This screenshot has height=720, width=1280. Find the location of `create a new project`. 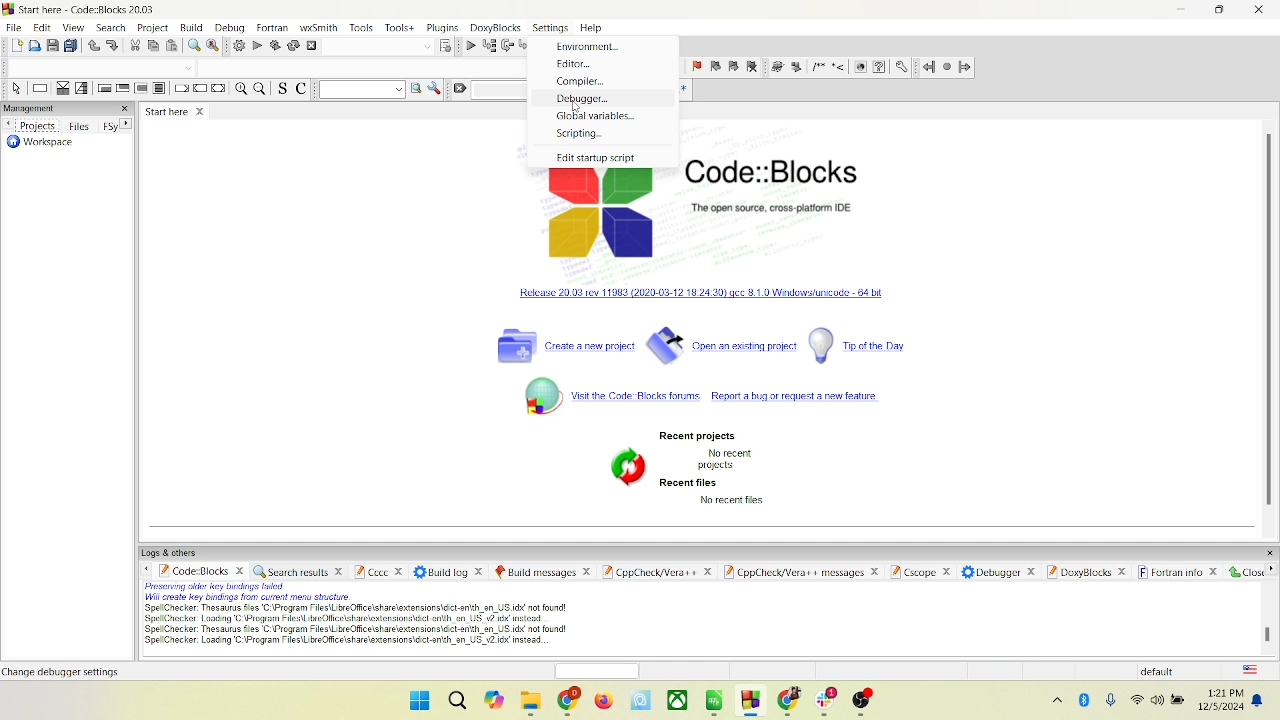

create a new project is located at coordinates (563, 345).